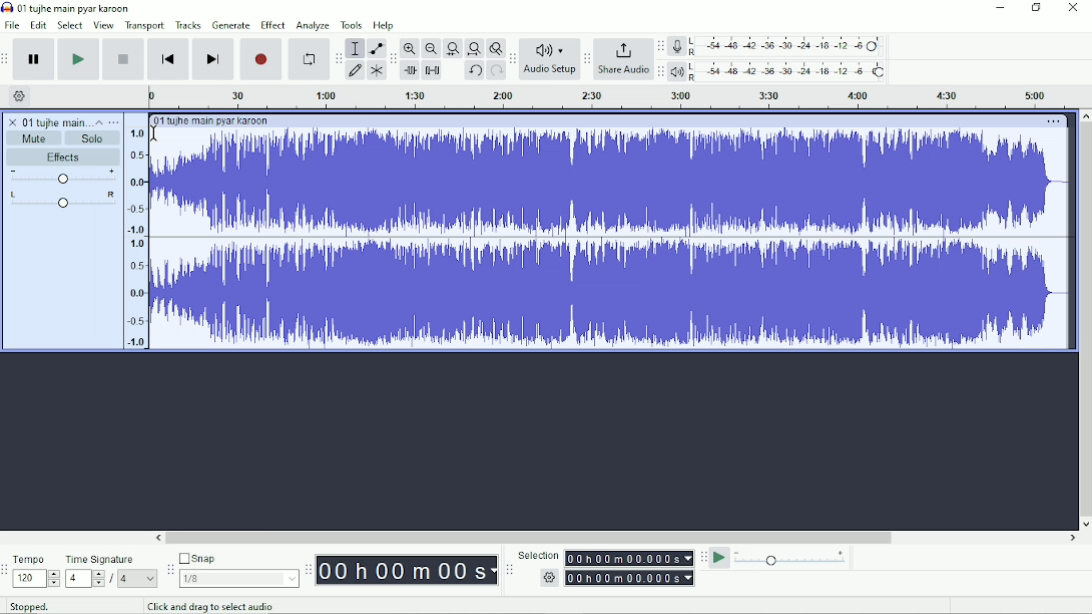 The image size is (1092, 614). I want to click on Audacity time signature toolbar, so click(7, 570).